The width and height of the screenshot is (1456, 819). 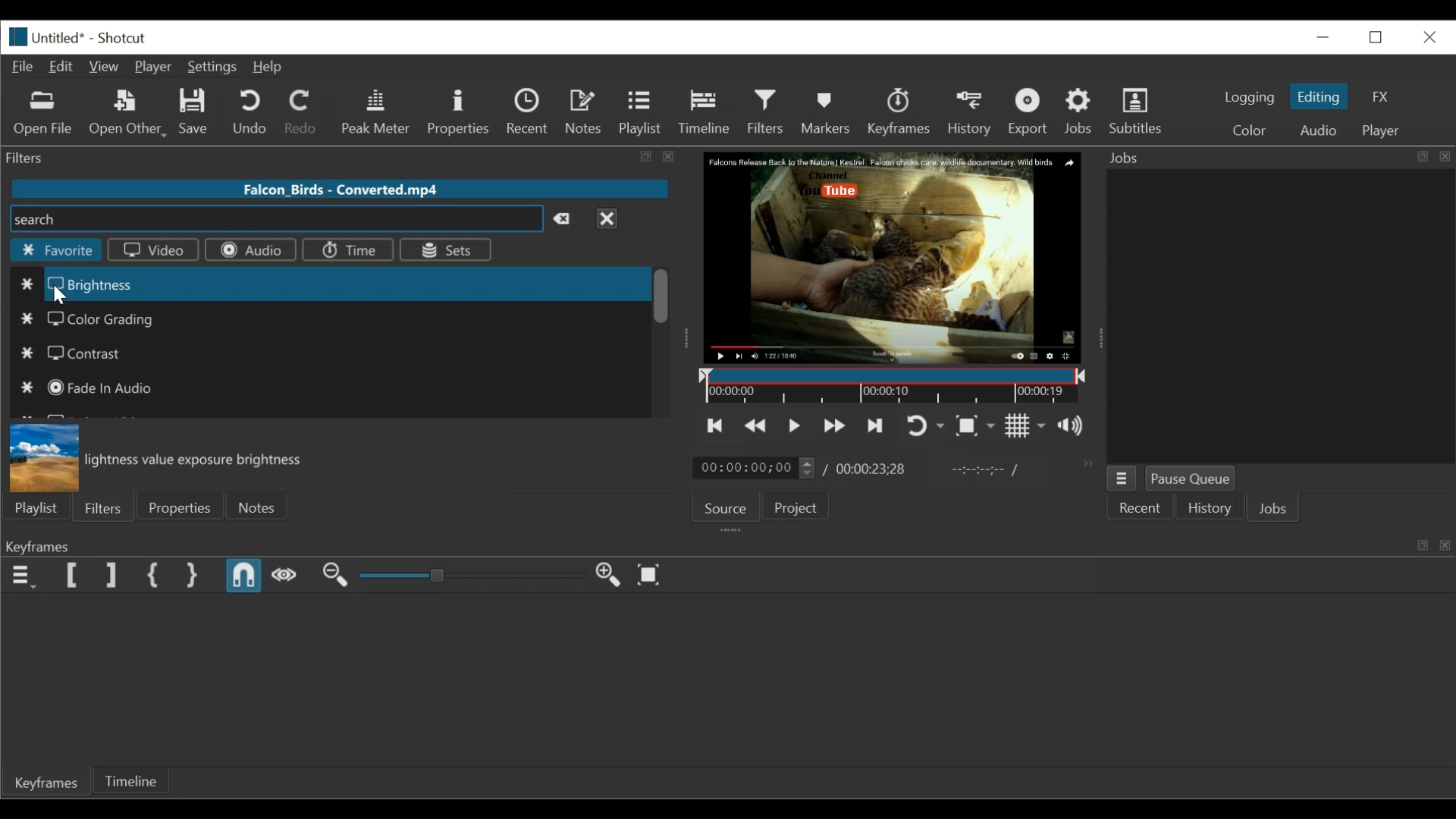 I want to click on Help, so click(x=272, y=67).